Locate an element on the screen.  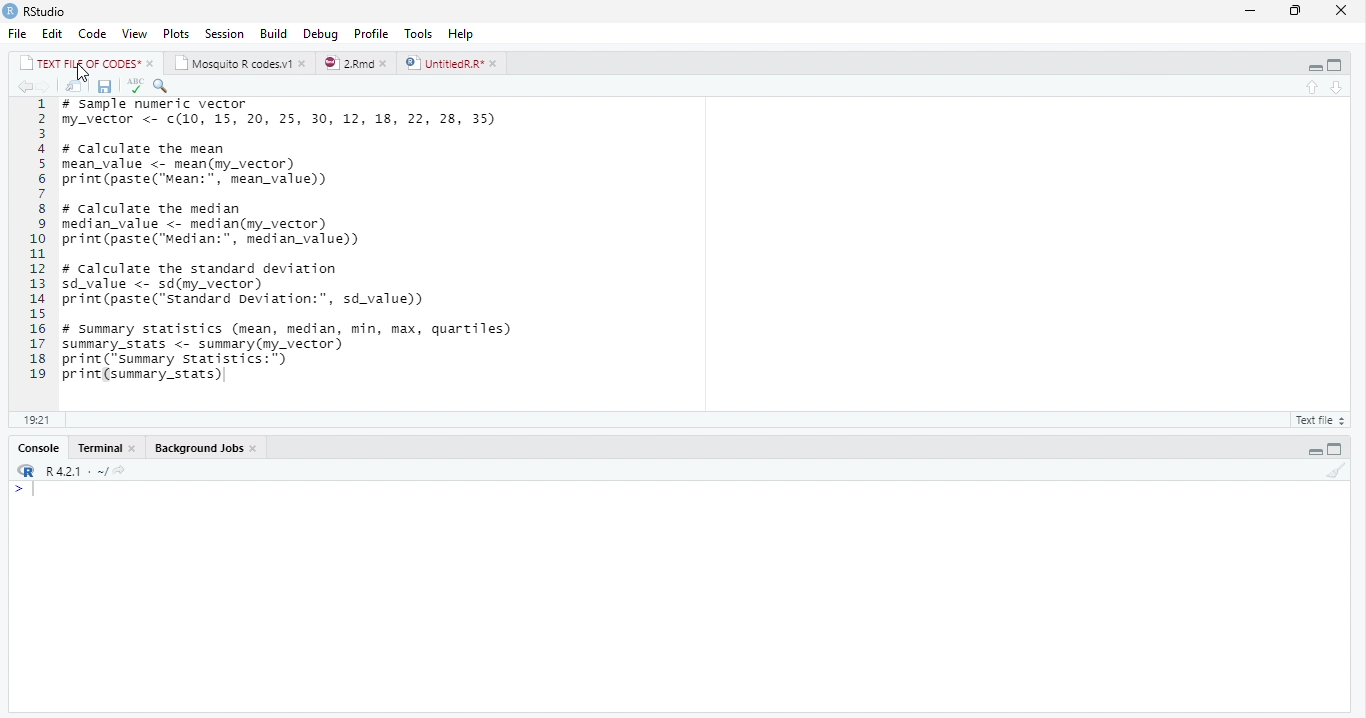
maximize is located at coordinates (1334, 450).